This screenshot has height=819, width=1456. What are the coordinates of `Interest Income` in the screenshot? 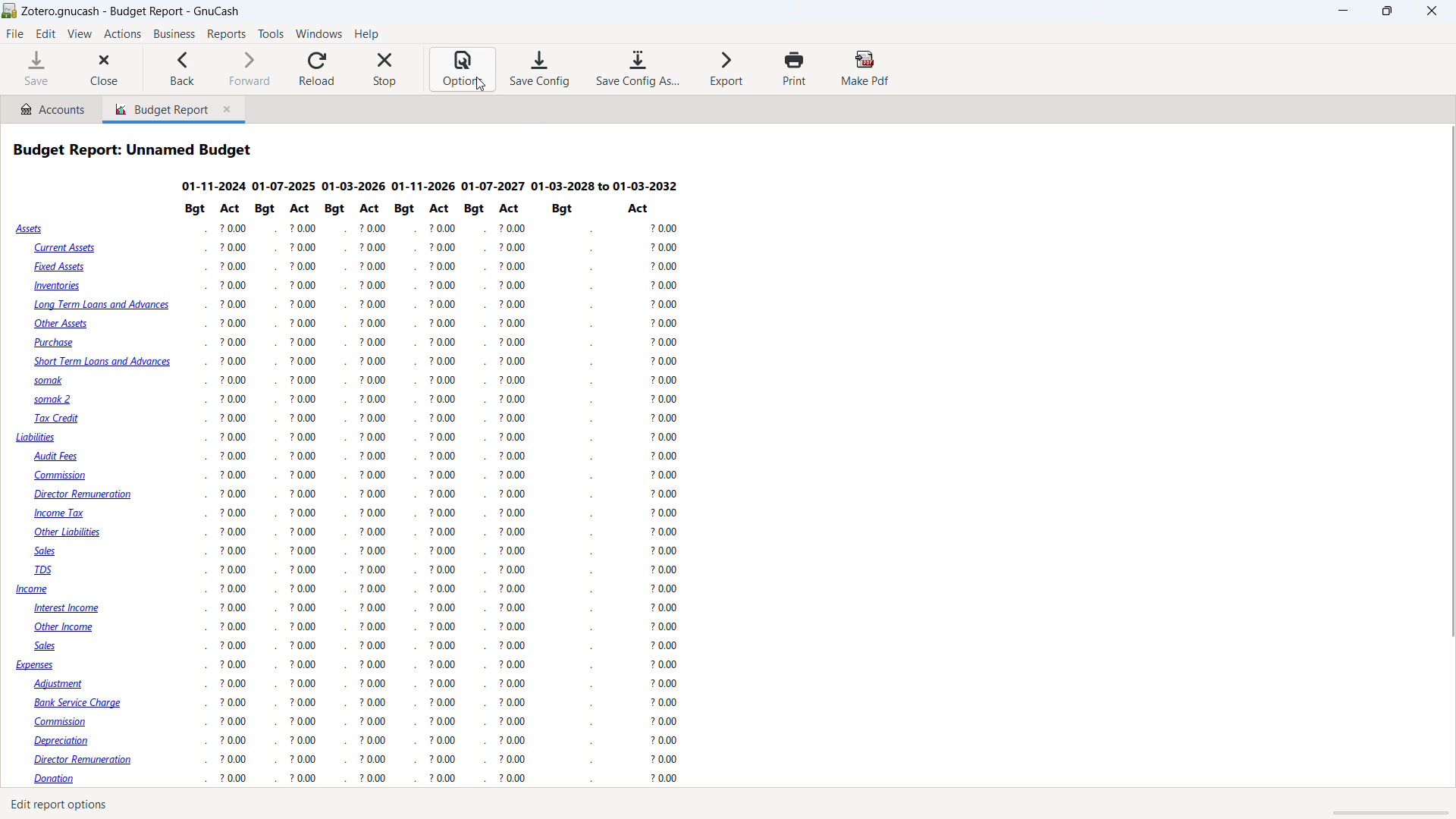 It's located at (75, 609).